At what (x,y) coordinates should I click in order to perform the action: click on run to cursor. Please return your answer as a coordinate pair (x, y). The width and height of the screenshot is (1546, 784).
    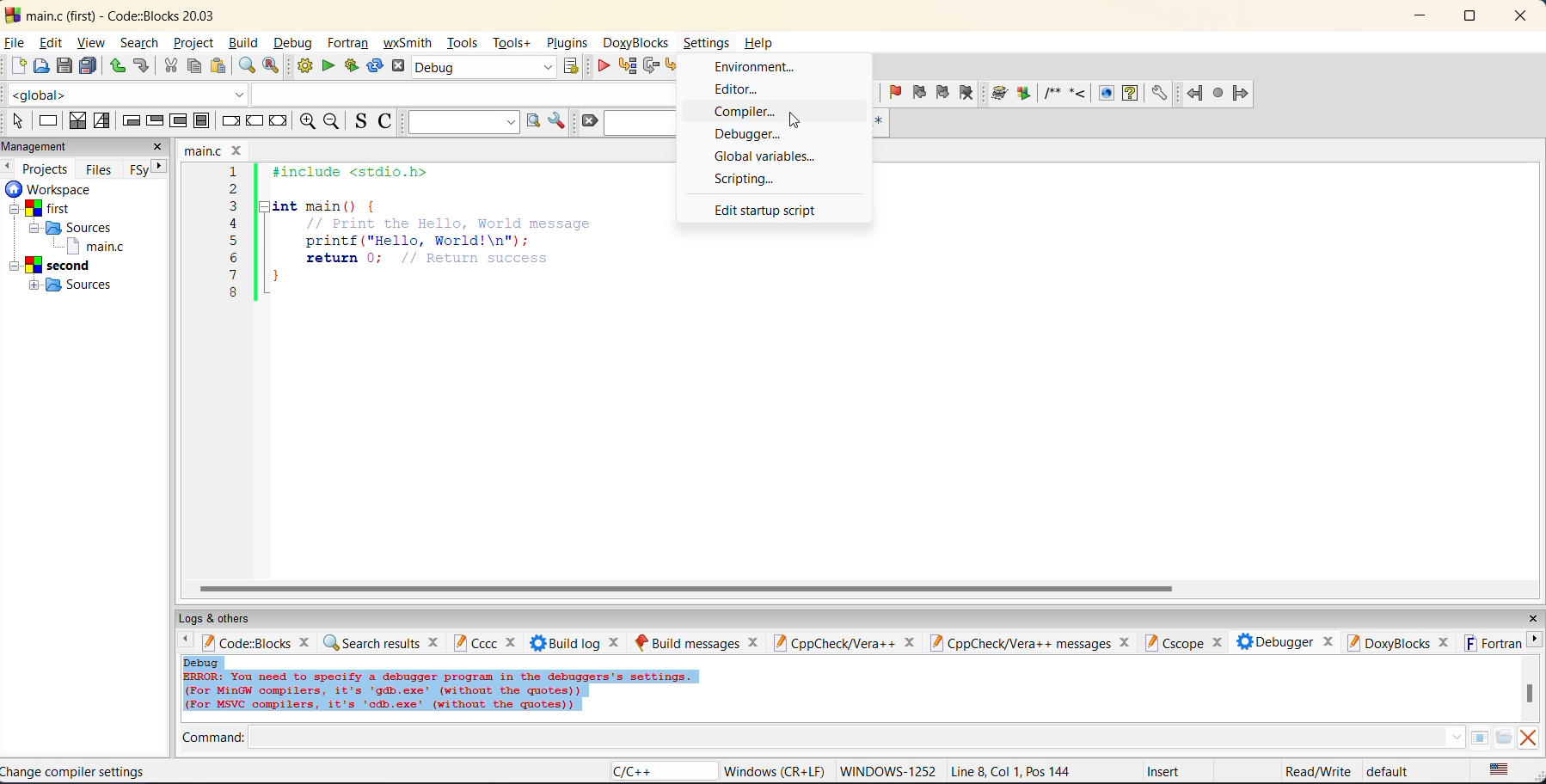
    Looking at the image, I should click on (626, 66).